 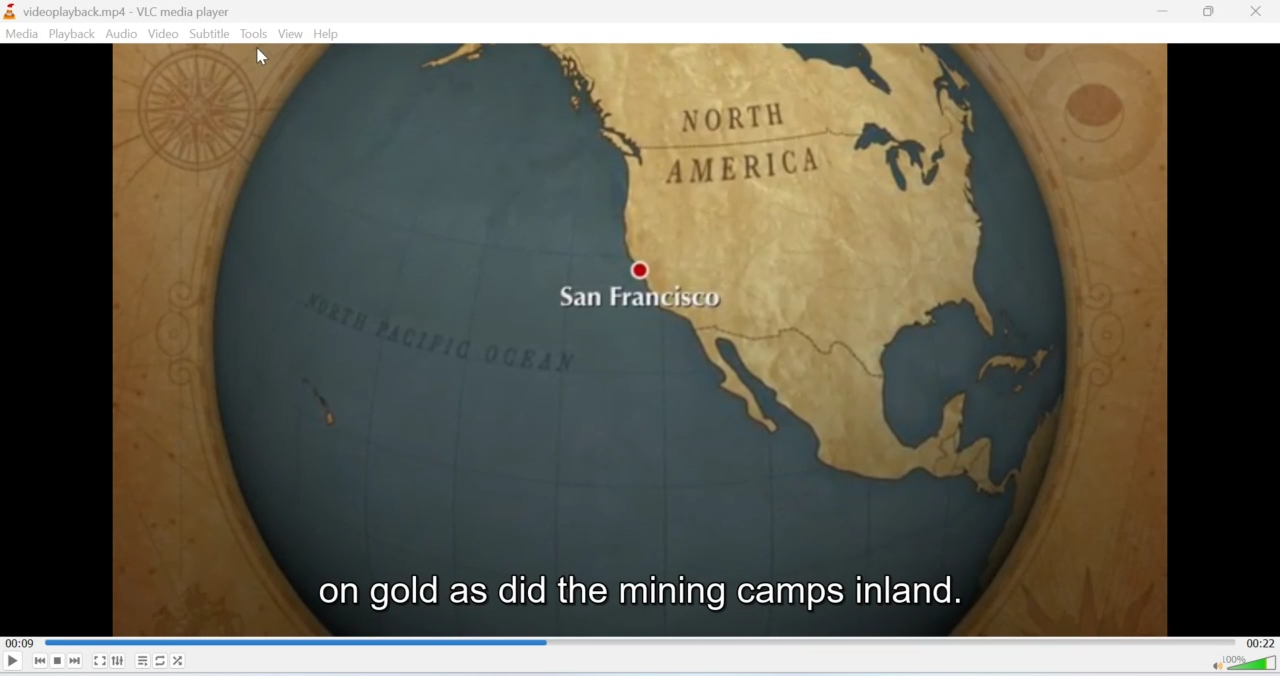 I want to click on cursor, so click(x=259, y=57).